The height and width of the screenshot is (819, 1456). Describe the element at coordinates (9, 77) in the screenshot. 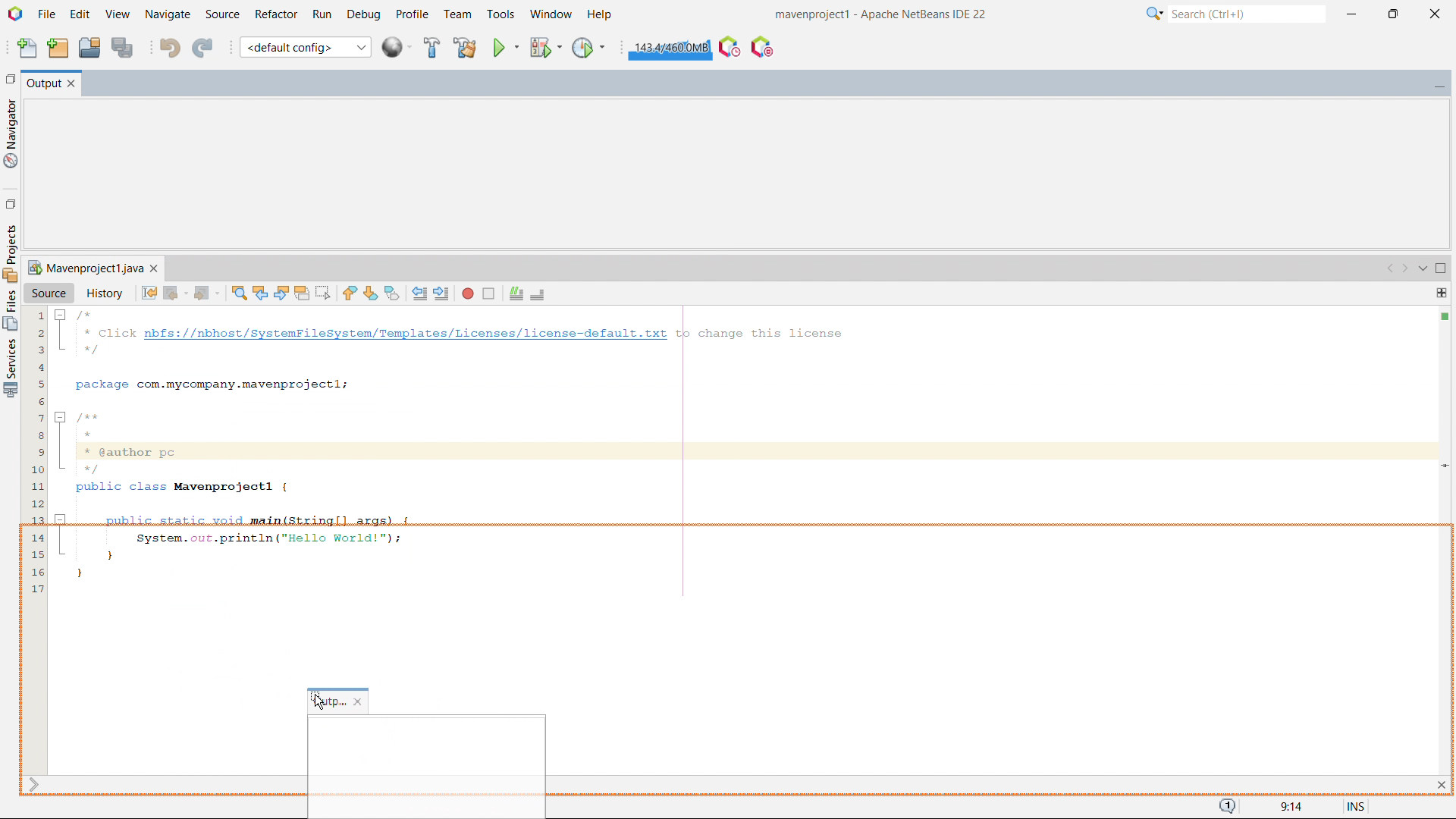

I see `restore window group` at that location.